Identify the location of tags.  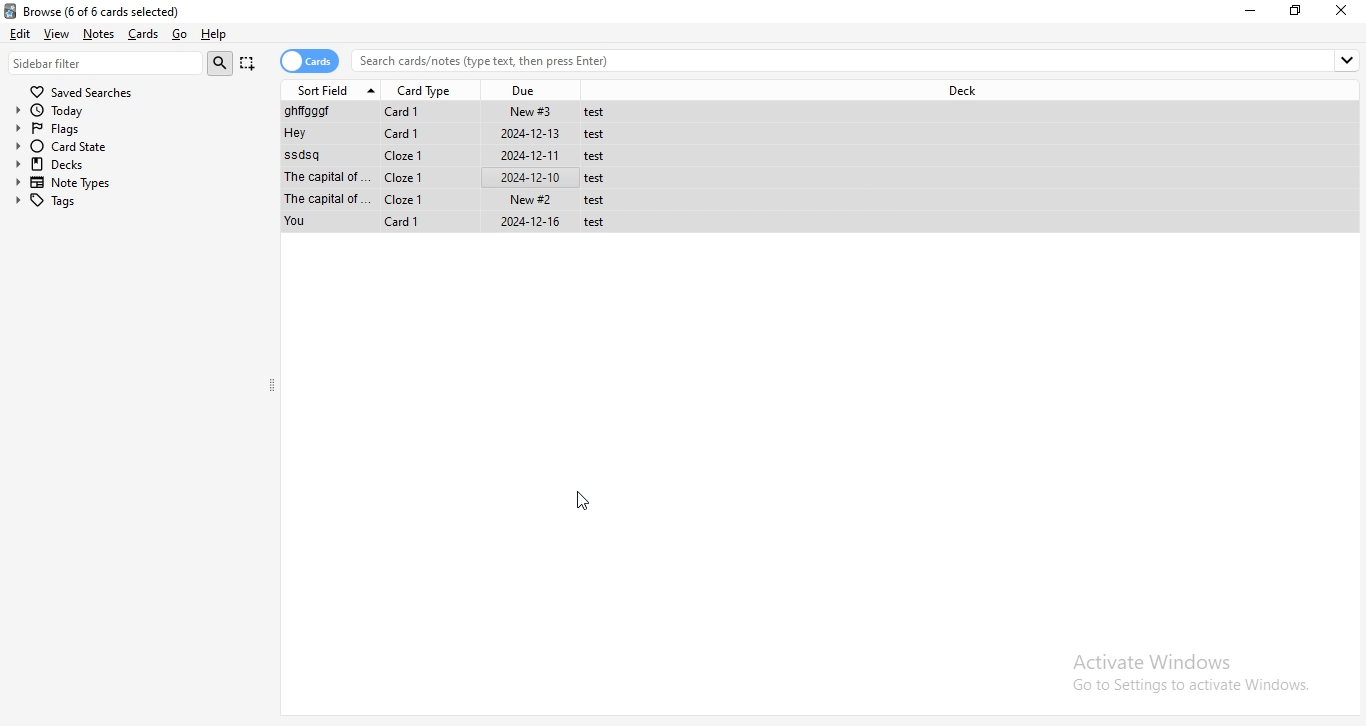
(135, 202).